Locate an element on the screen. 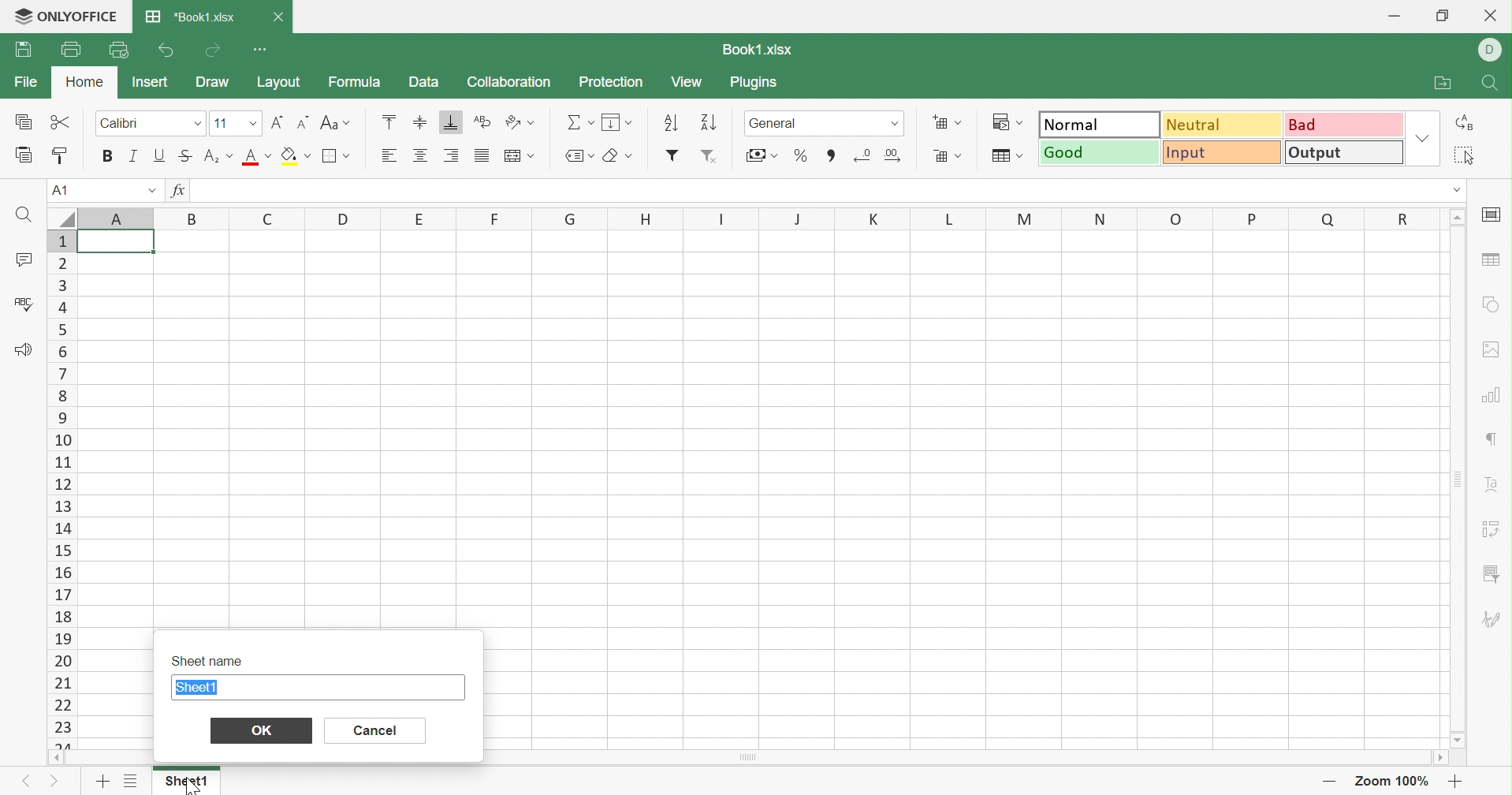 Image resolution: width=1512 pixels, height=795 pixels. Fonts drop down is located at coordinates (196, 124).